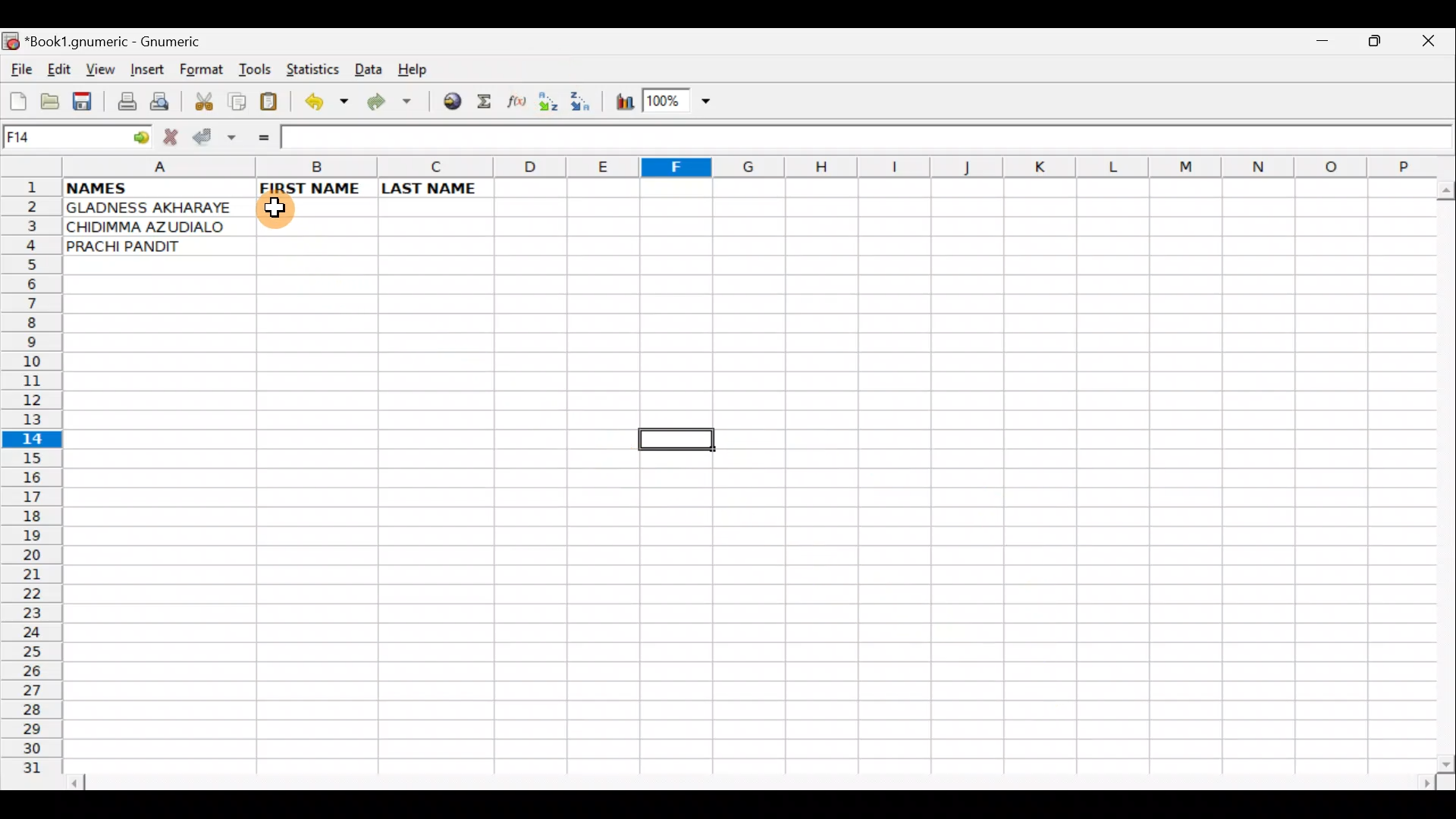 This screenshot has height=819, width=1456. Describe the element at coordinates (436, 187) in the screenshot. I see `LAST NAME` at that location.